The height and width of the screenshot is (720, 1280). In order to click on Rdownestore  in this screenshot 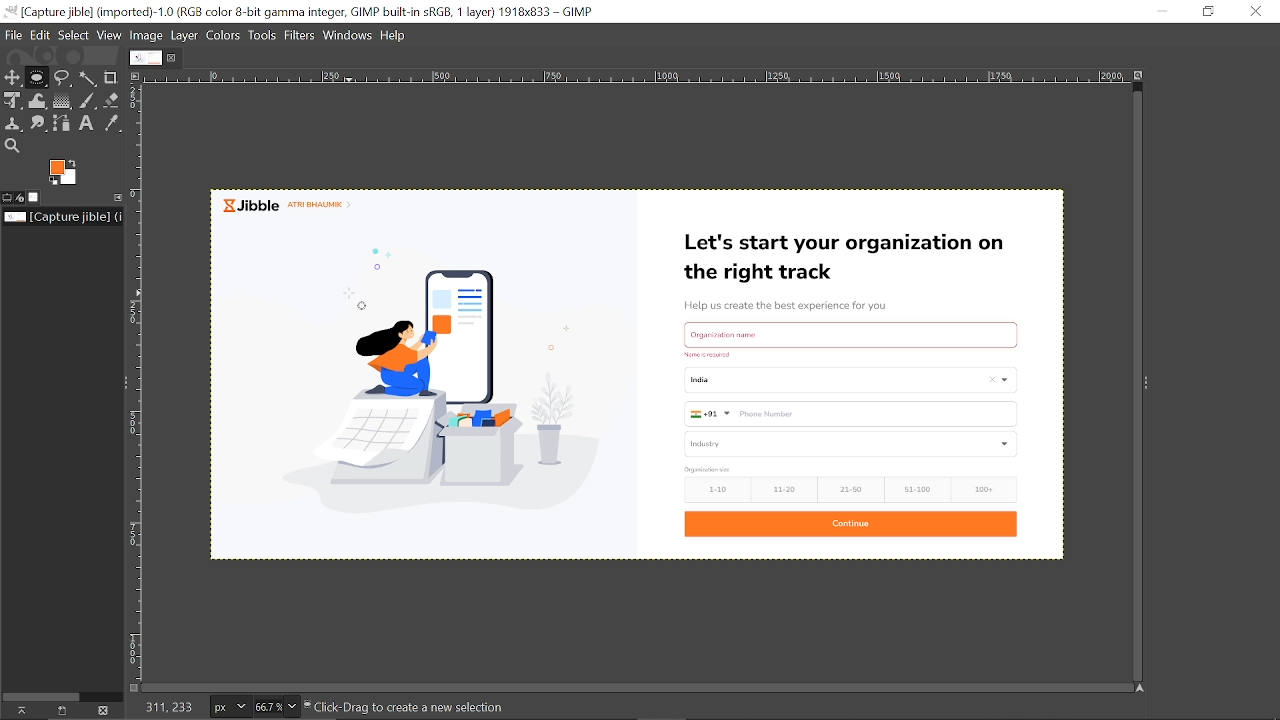, I will do `click(1210, 11)`.